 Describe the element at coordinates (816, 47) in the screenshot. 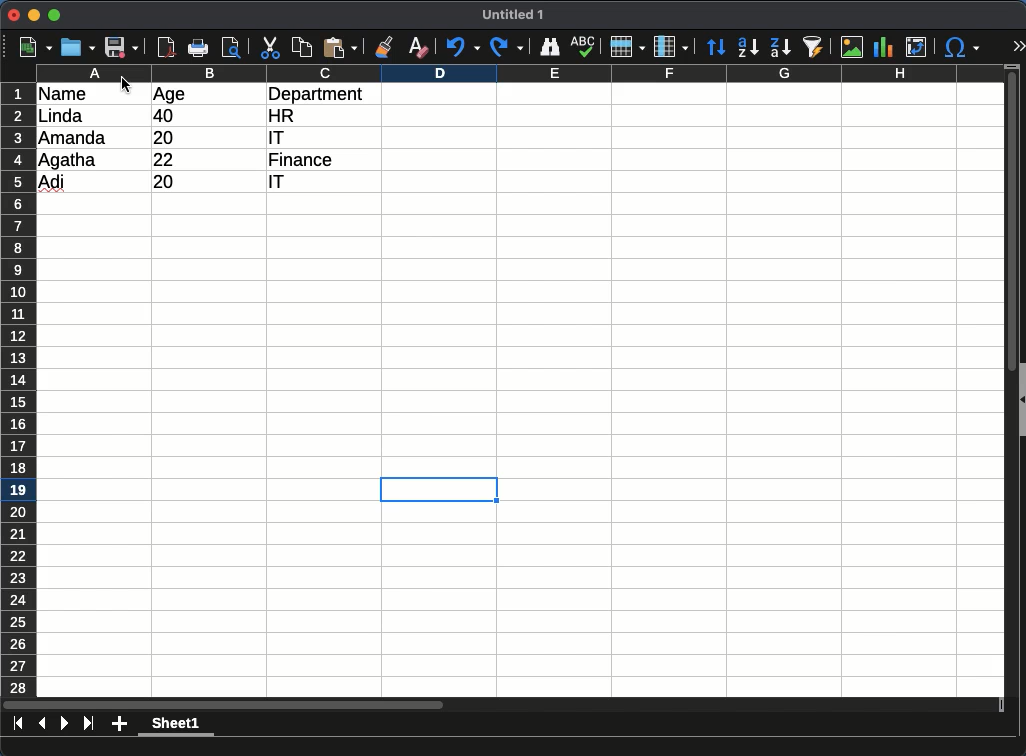

I see `sort` at that location.